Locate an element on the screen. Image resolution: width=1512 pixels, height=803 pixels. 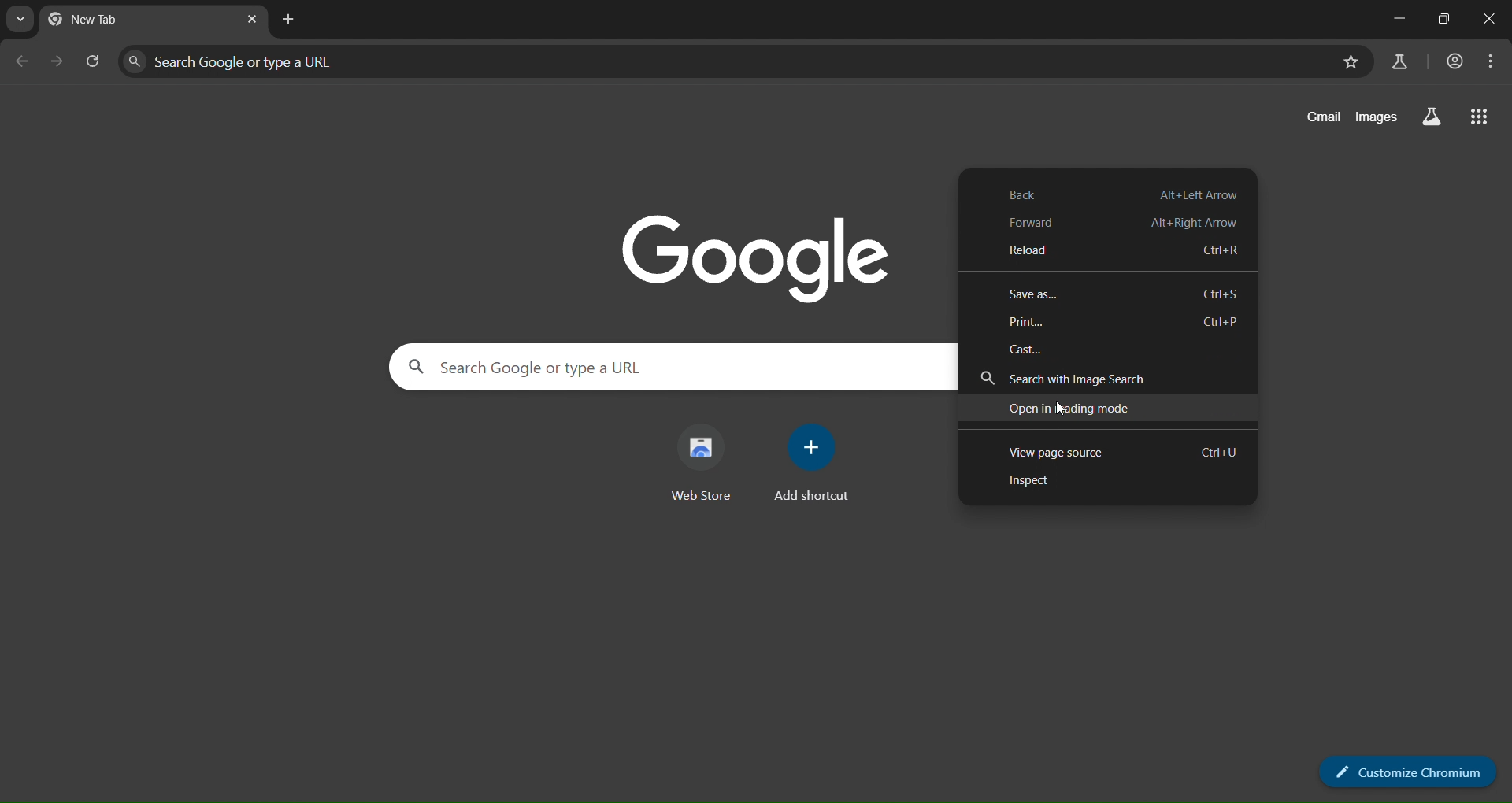
go back one page is located at coordinates (22, 61).